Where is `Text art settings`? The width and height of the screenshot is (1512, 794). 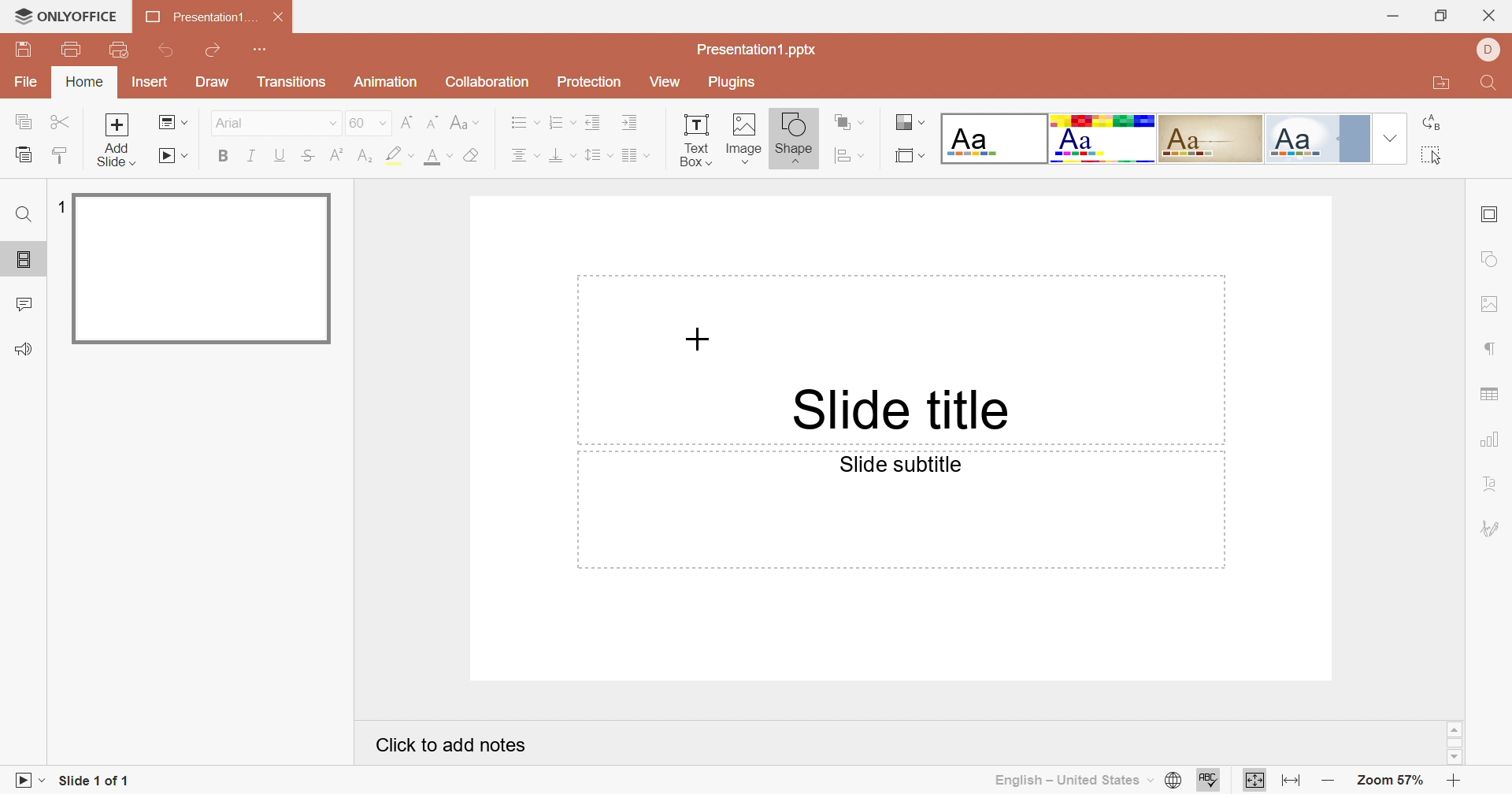 Text art settings is located at coordinates (1491, 483).